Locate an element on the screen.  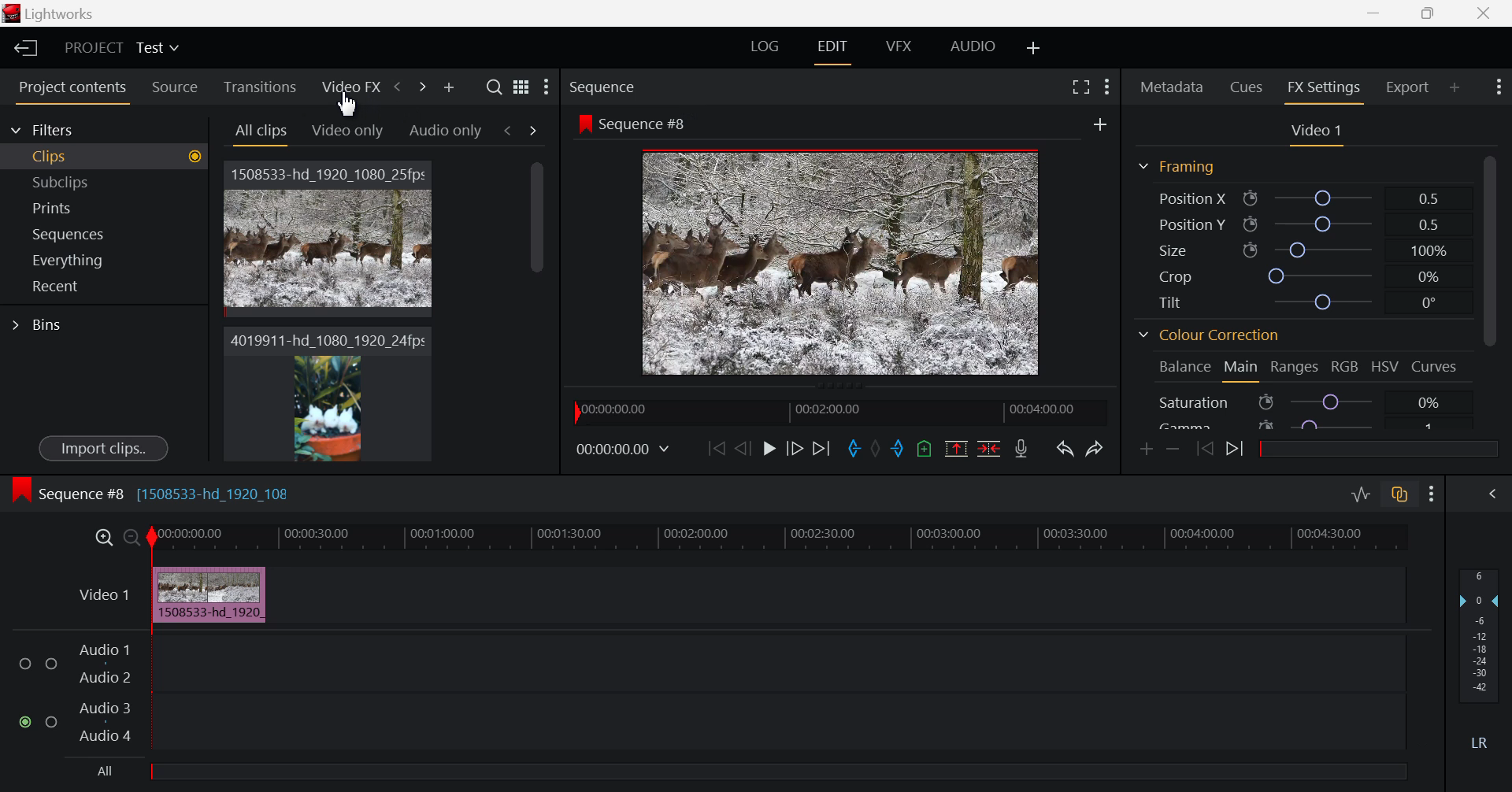
Add keyframe is located at coordinates (1145, 452).